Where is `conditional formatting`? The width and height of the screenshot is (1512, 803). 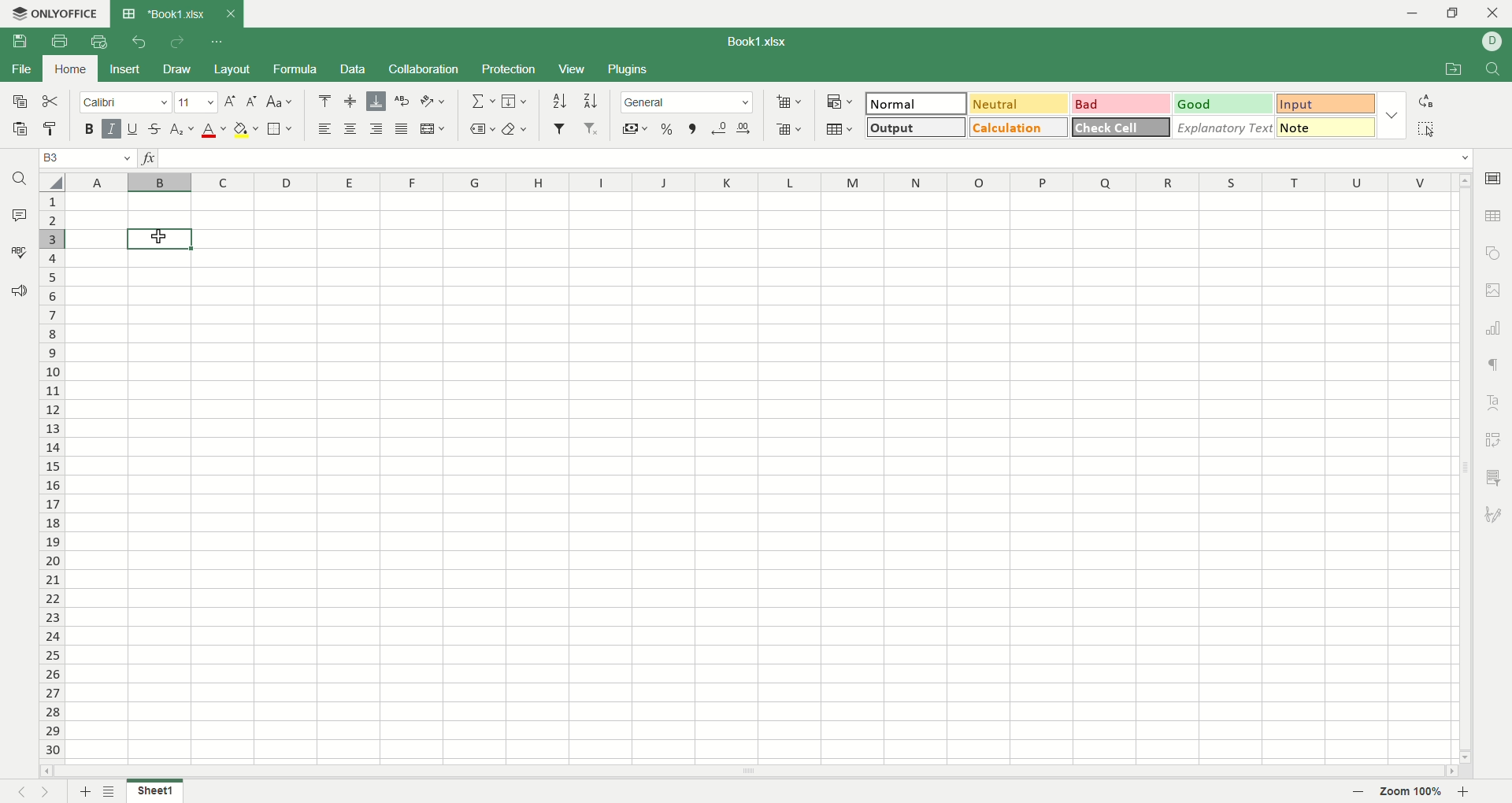 conditional formatting is located at coordinates (841, 102).